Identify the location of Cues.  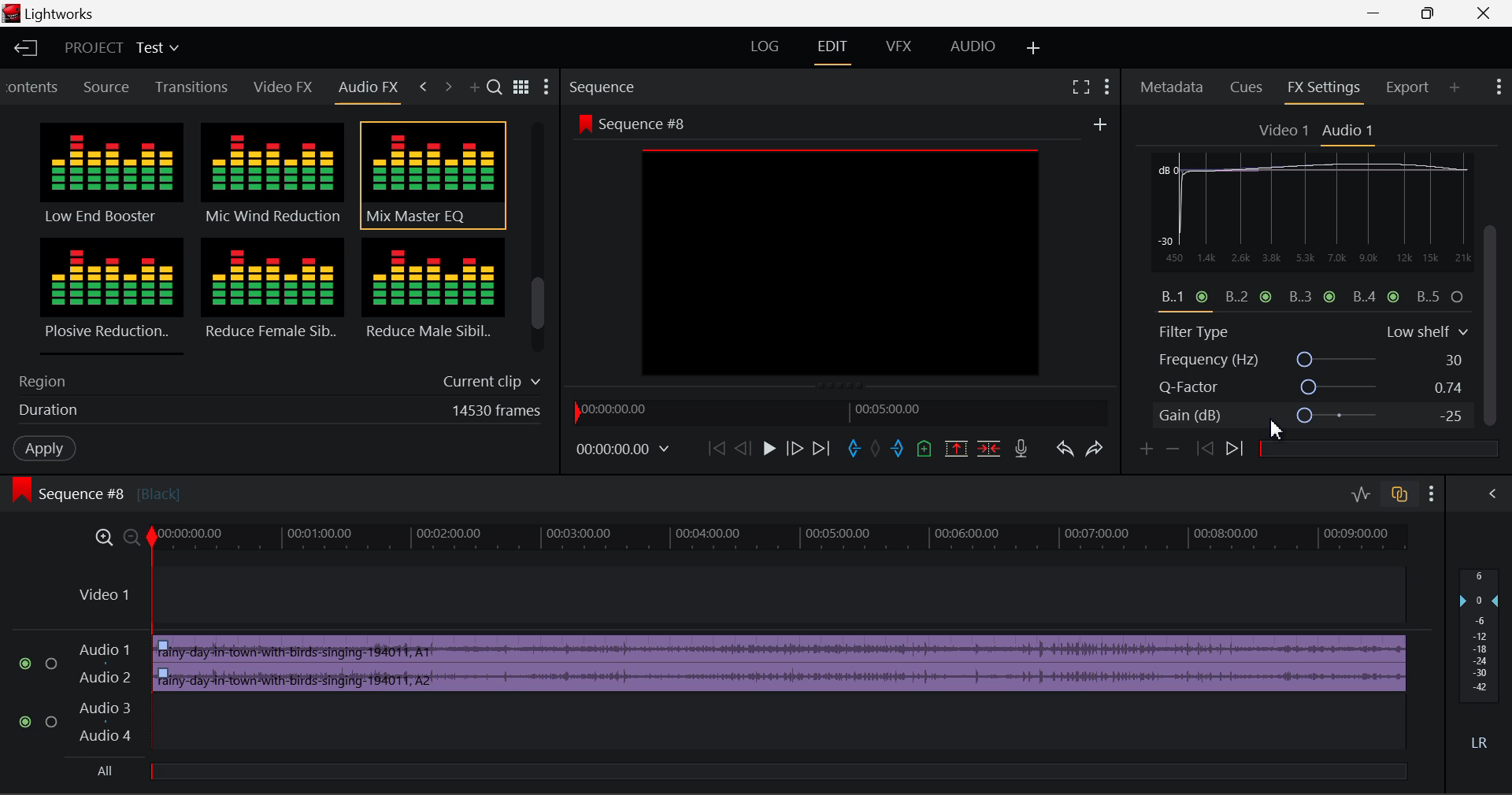
(1247, 89).